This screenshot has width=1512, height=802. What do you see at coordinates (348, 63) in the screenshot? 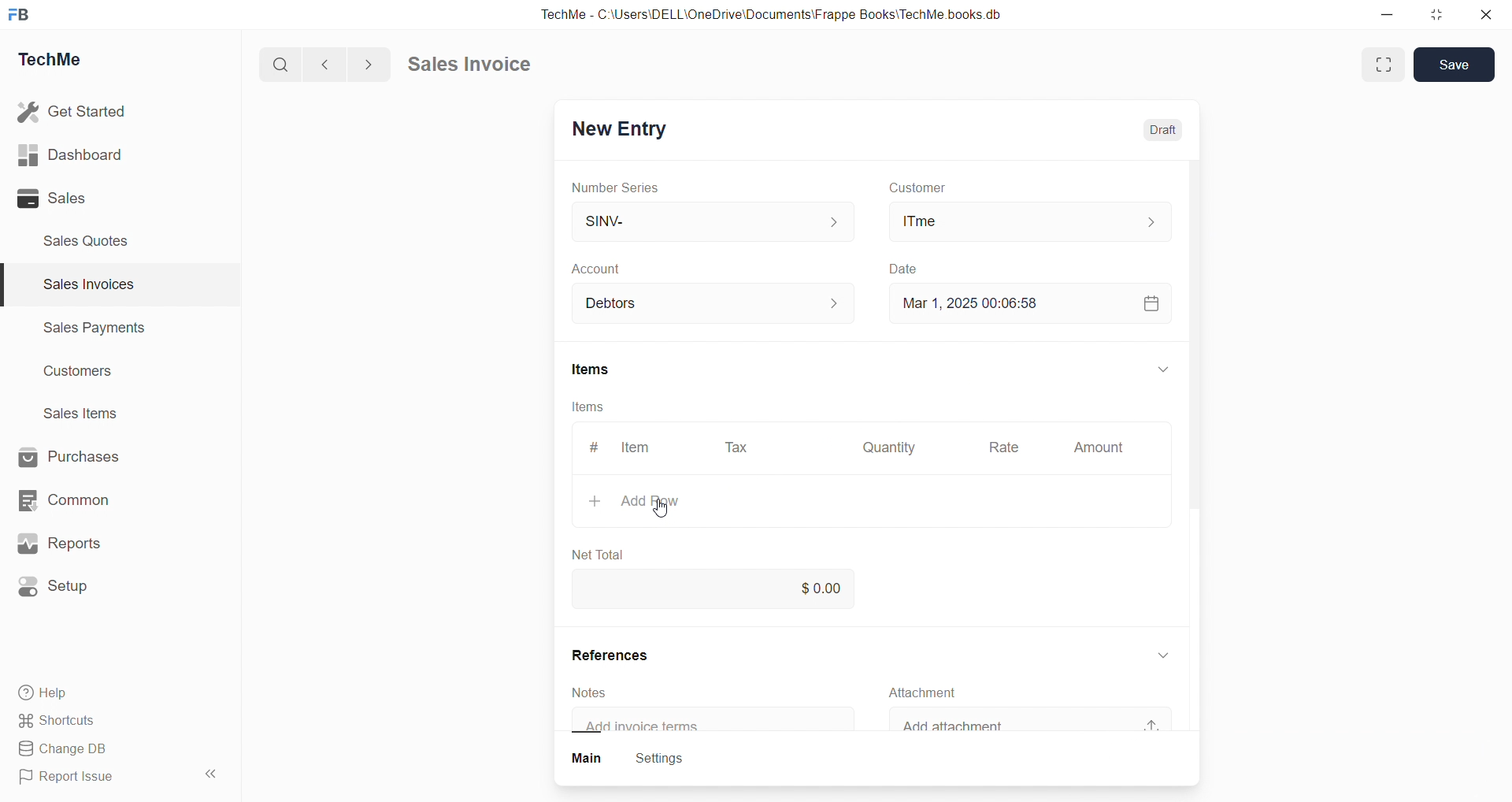
I see `Forward/Backward` at bounding box center [348, 63].